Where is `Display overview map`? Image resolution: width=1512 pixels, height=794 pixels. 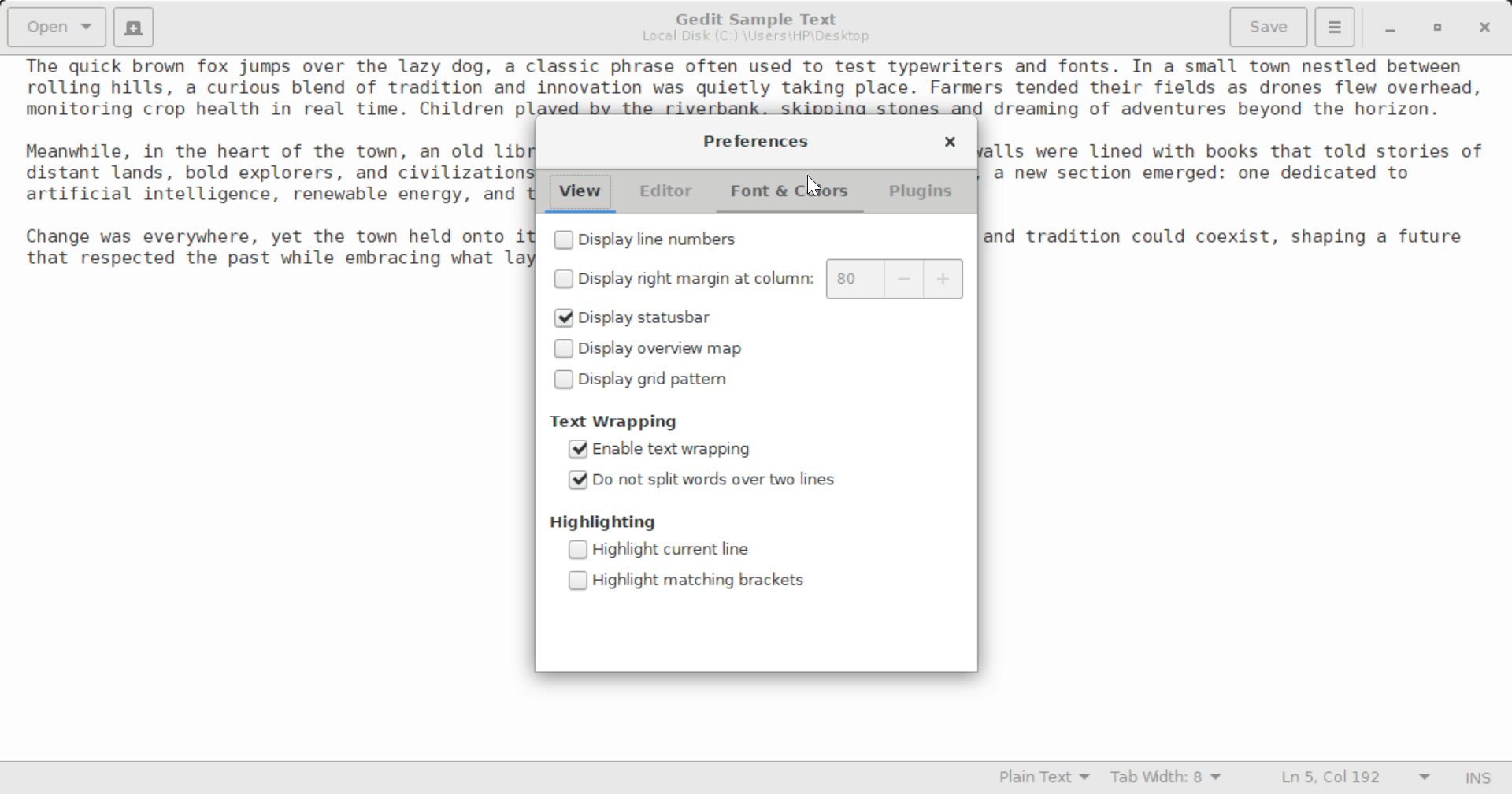
Display overview map is located at coordinates (657, 350).